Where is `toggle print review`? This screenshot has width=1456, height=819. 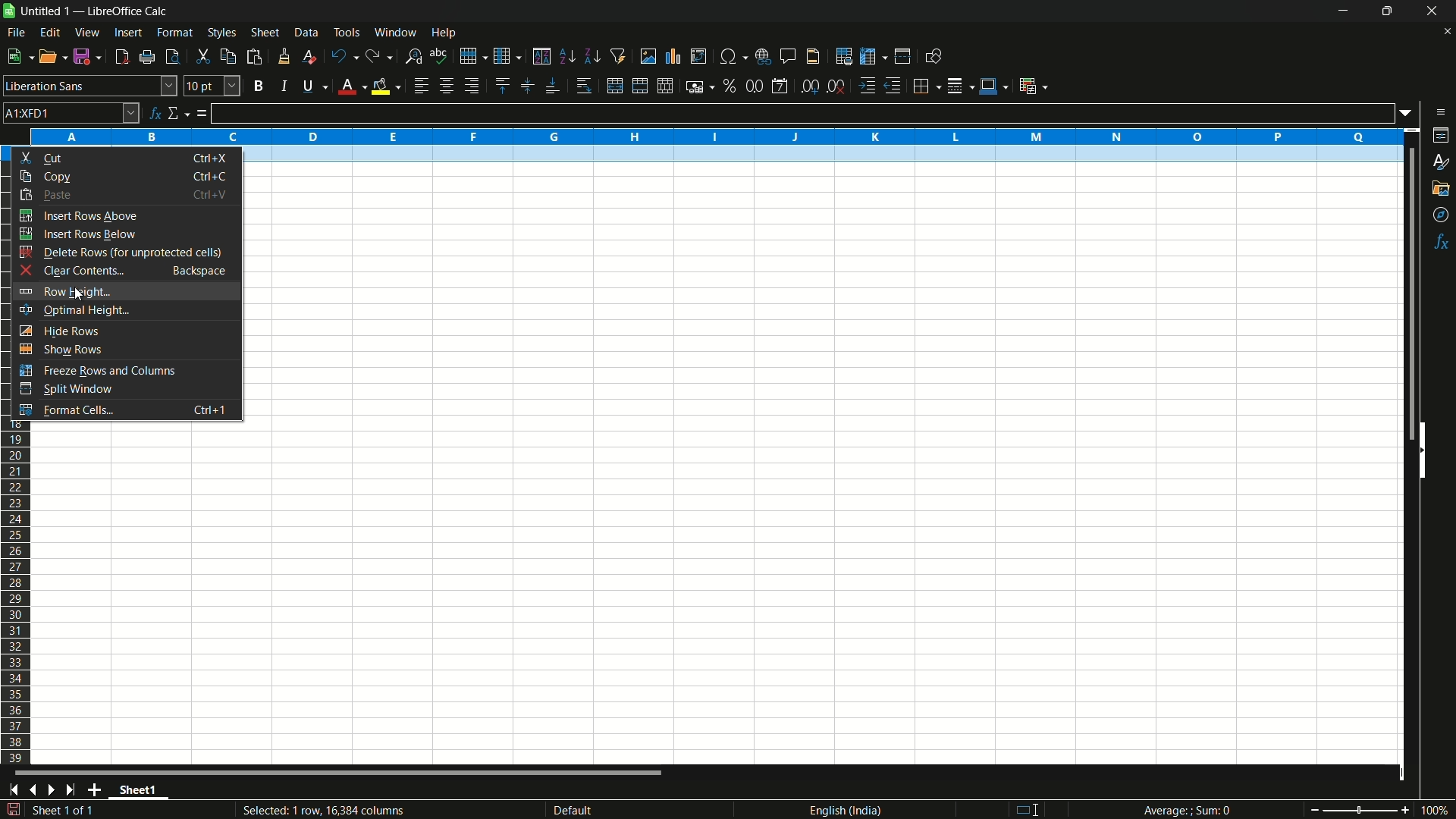 toggle print review is located at coordinates (171, 57).